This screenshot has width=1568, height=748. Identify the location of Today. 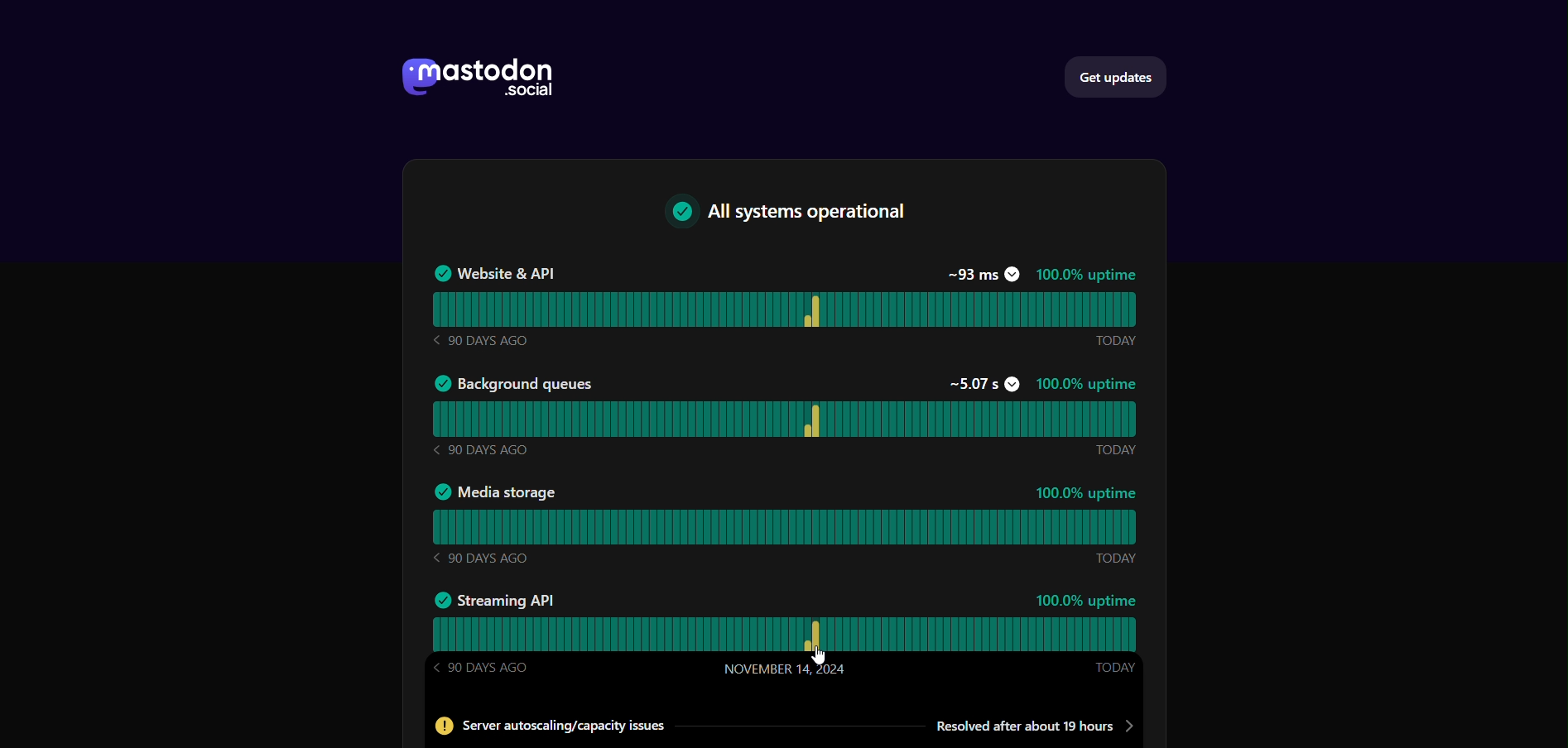
(1116, 557).